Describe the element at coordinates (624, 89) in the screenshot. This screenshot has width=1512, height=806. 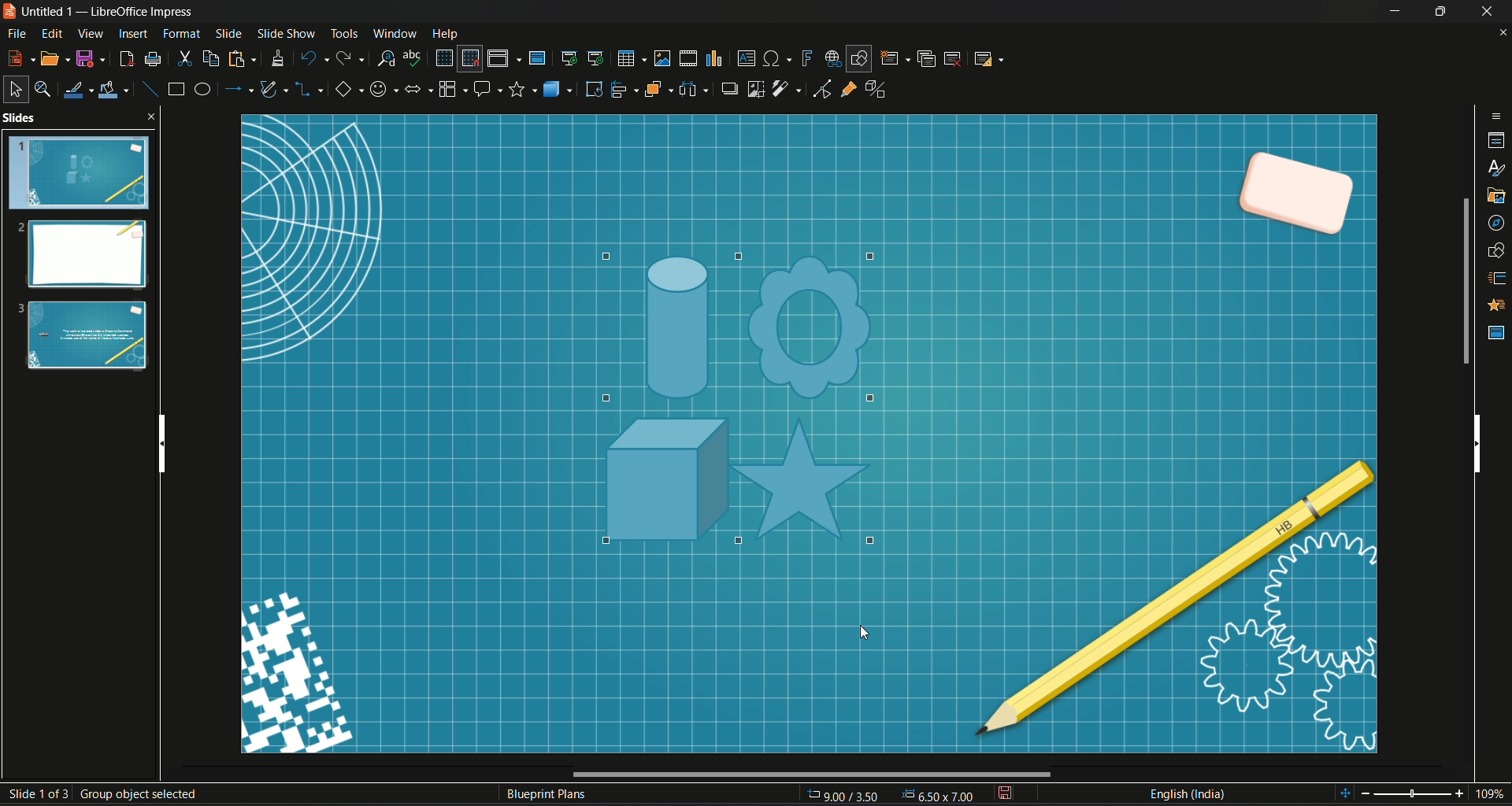
I see `align object` at that location.